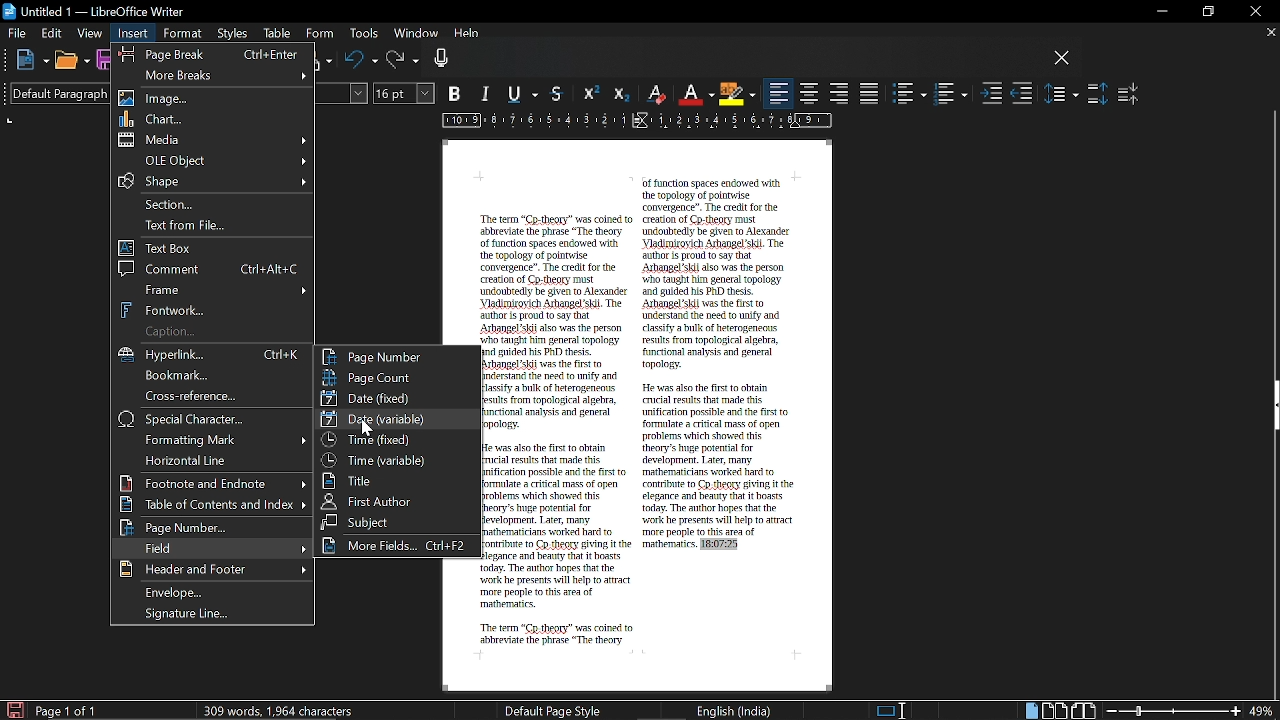 Image resolution: width=1280 pixels, height=720 pixels. What do you see at coordinates (182, 34) in the screenshot?
I see `Format` at bounding box center [182, 34].